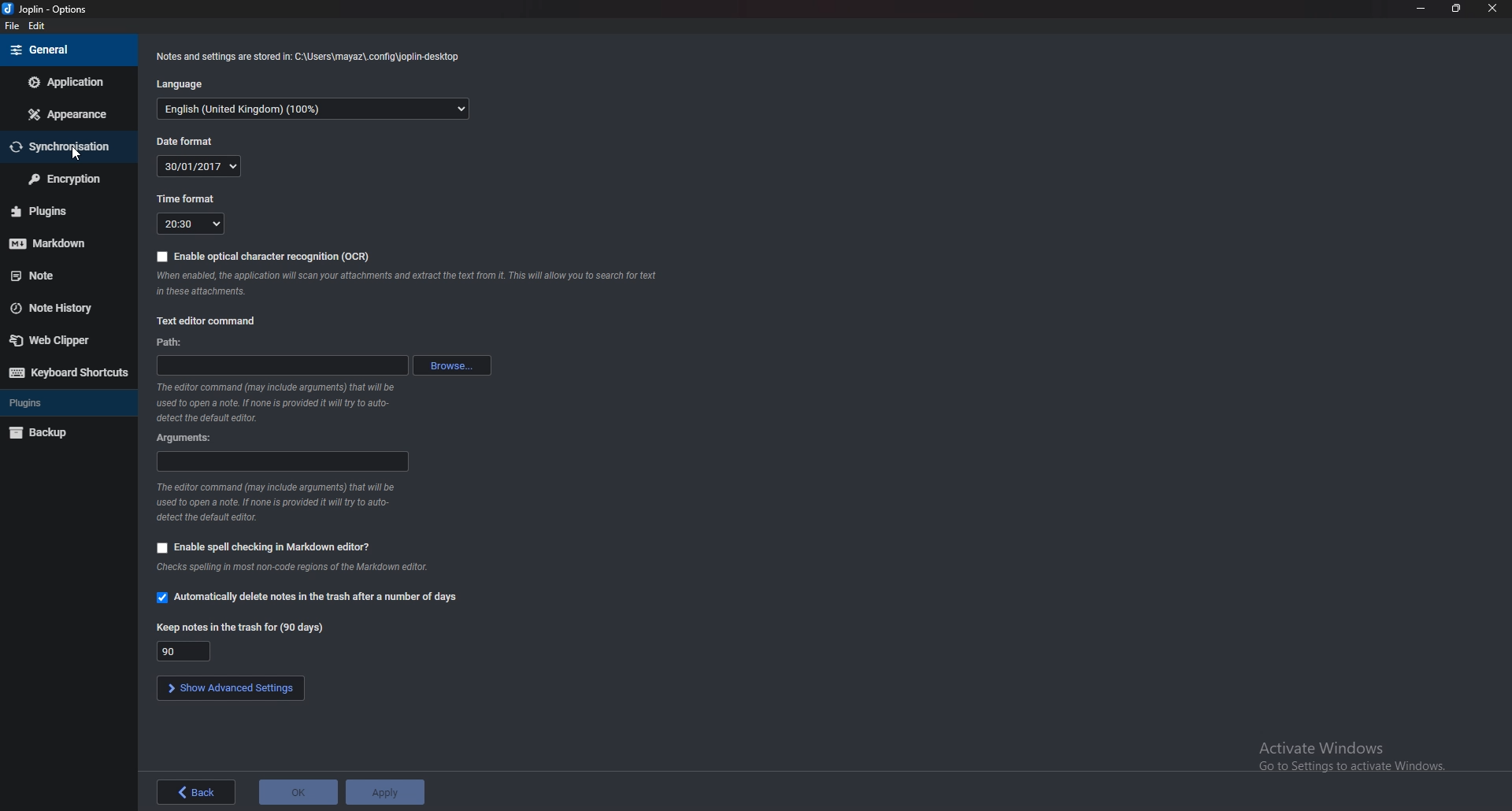  I want to click on cursor, so click(74, 155).